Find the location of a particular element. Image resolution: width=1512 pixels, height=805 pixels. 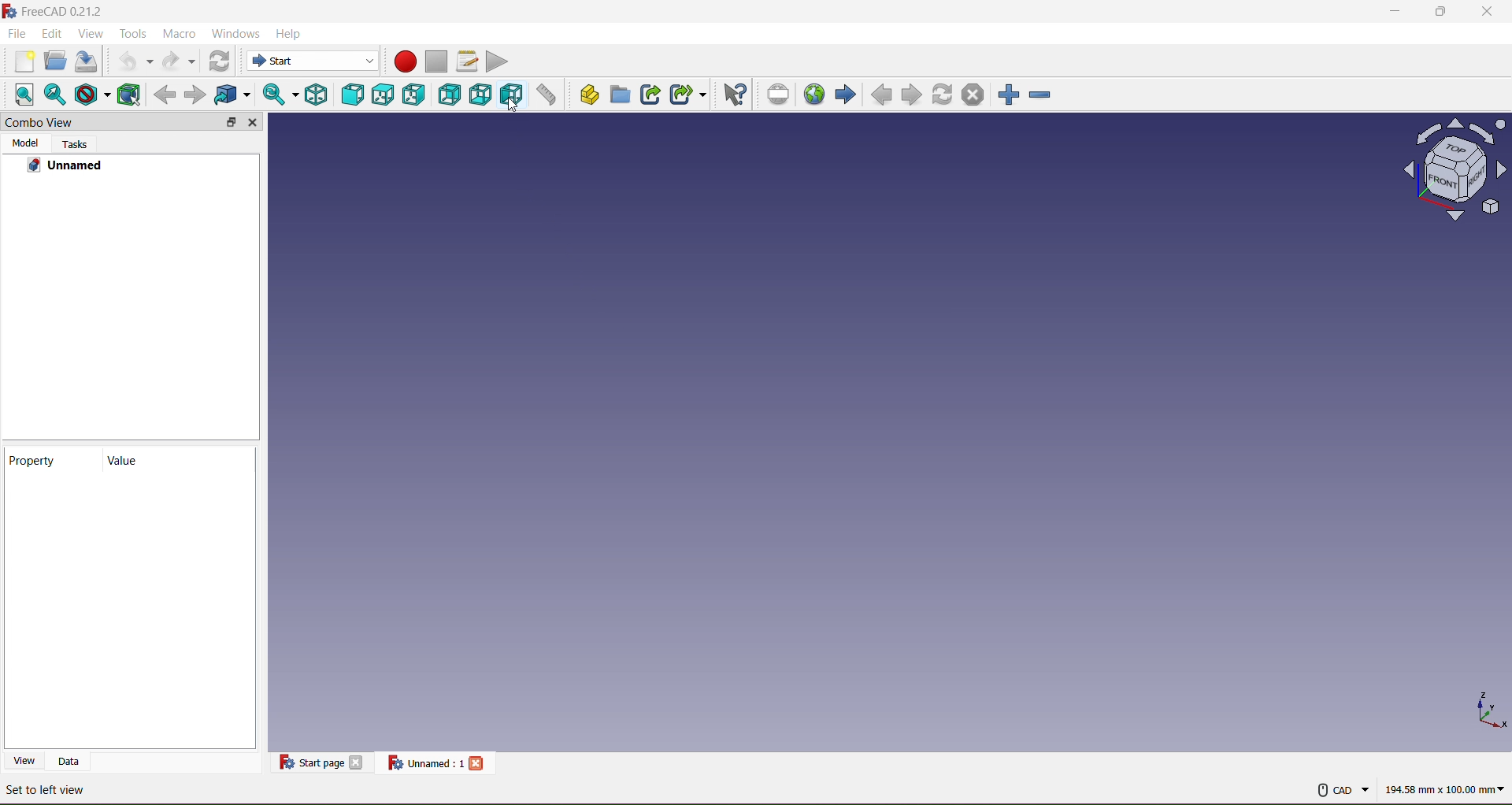

Wireframe is located at coordinates (128, 94).